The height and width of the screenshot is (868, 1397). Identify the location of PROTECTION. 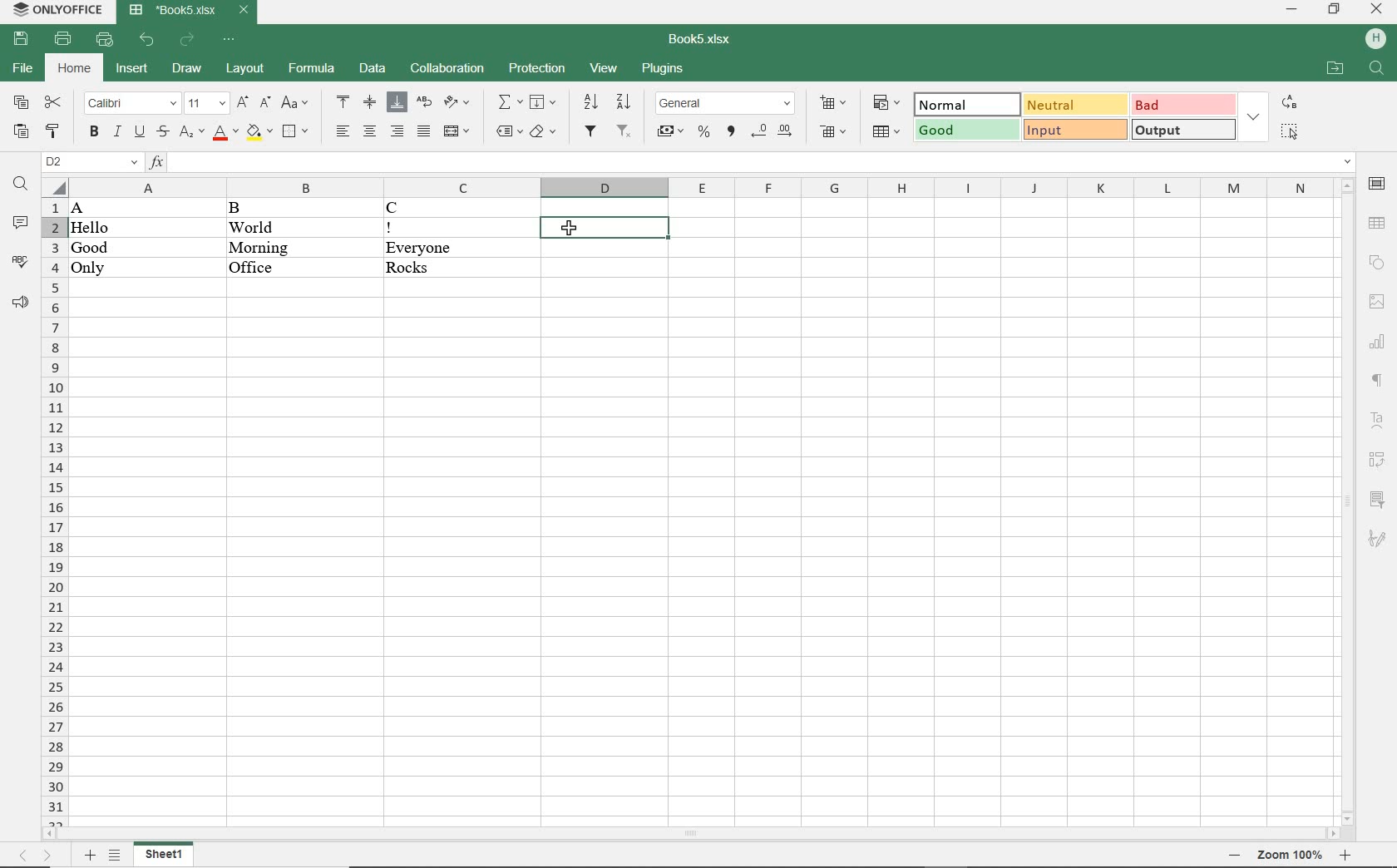
(533, 67).